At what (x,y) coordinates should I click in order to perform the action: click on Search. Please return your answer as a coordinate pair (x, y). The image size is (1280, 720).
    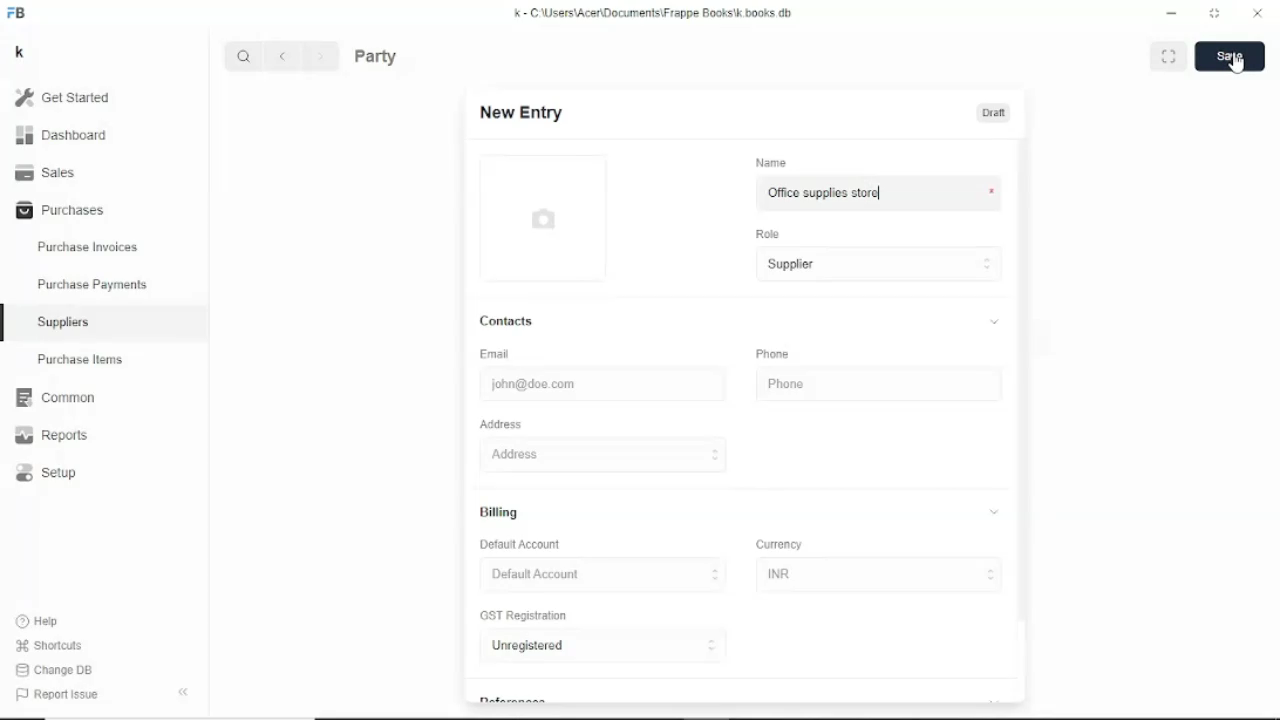
    Looking at the image, I should click on (244, 56).